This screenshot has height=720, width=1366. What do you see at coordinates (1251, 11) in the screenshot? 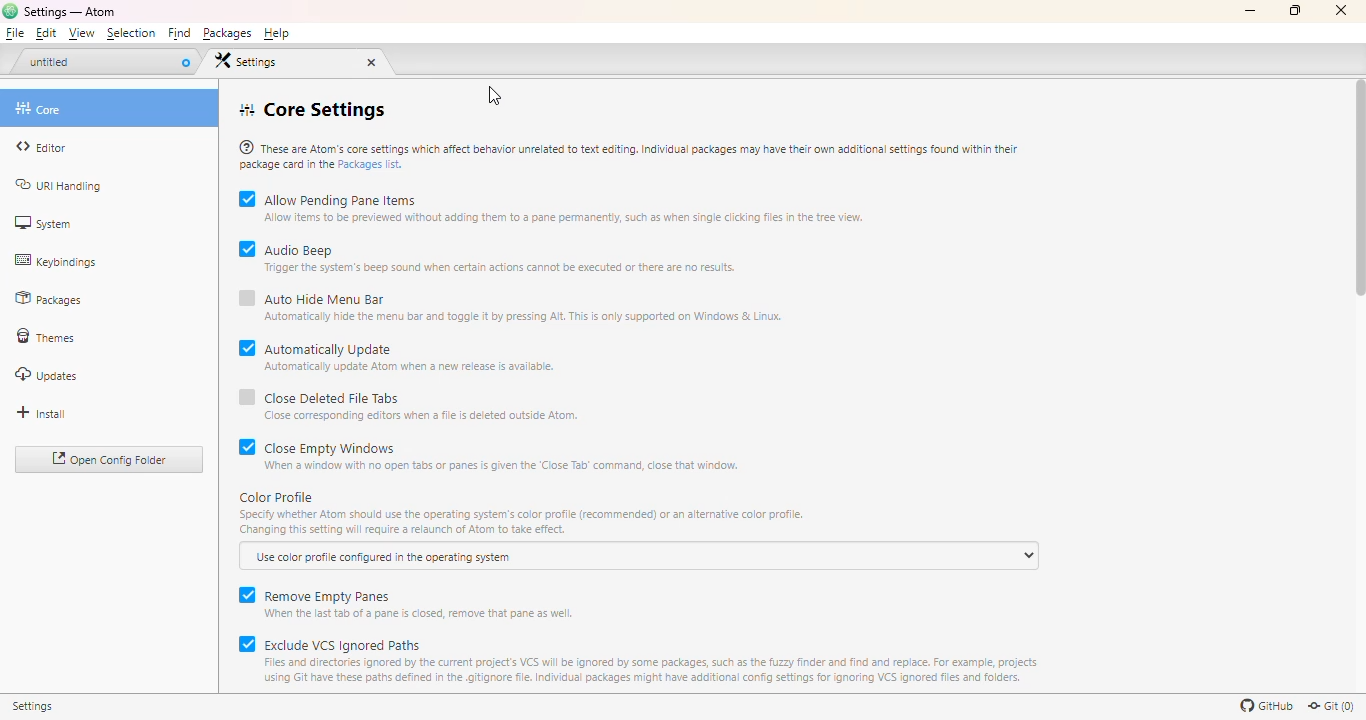
I see `minimize` at bounding box center [1251, 11].